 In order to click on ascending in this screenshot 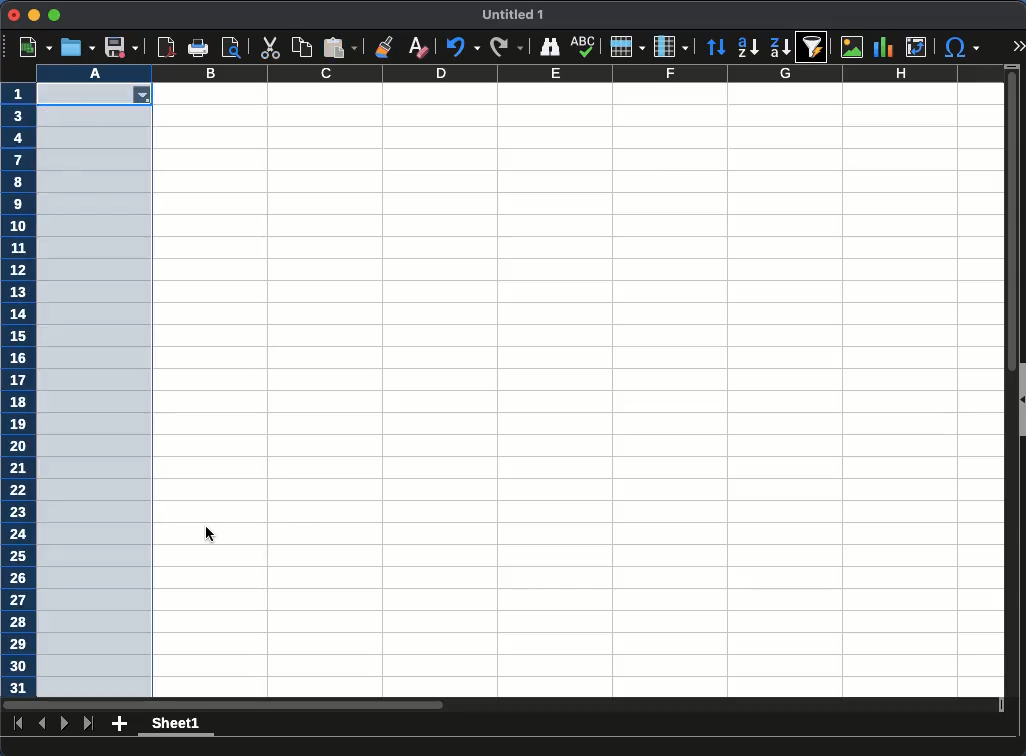, I will do `click(748, 48)`.